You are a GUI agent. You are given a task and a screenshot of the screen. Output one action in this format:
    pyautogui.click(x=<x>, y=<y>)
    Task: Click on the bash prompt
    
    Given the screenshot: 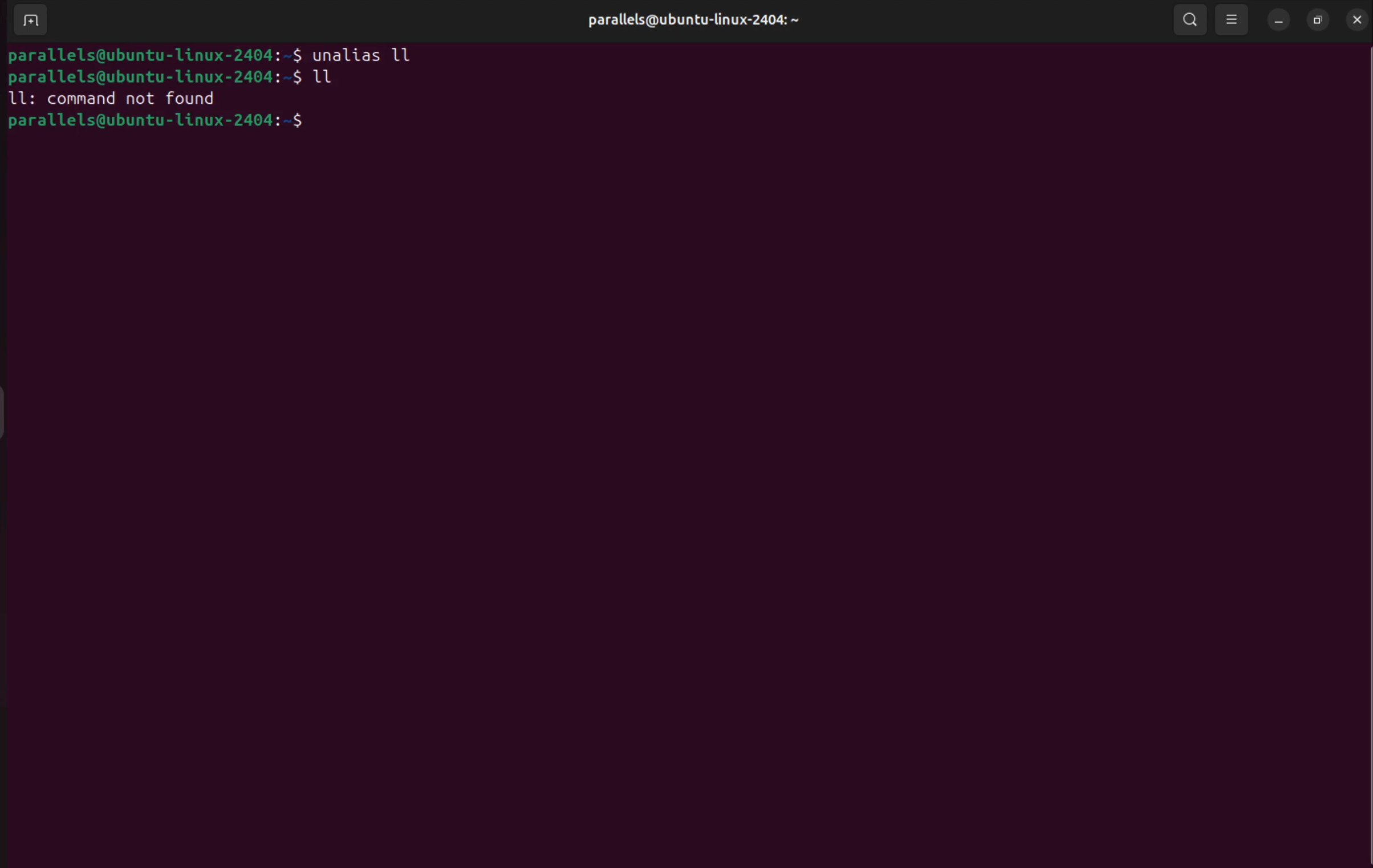 What is the action you would take?
    pyautogui.click(x=161, y=125)
    